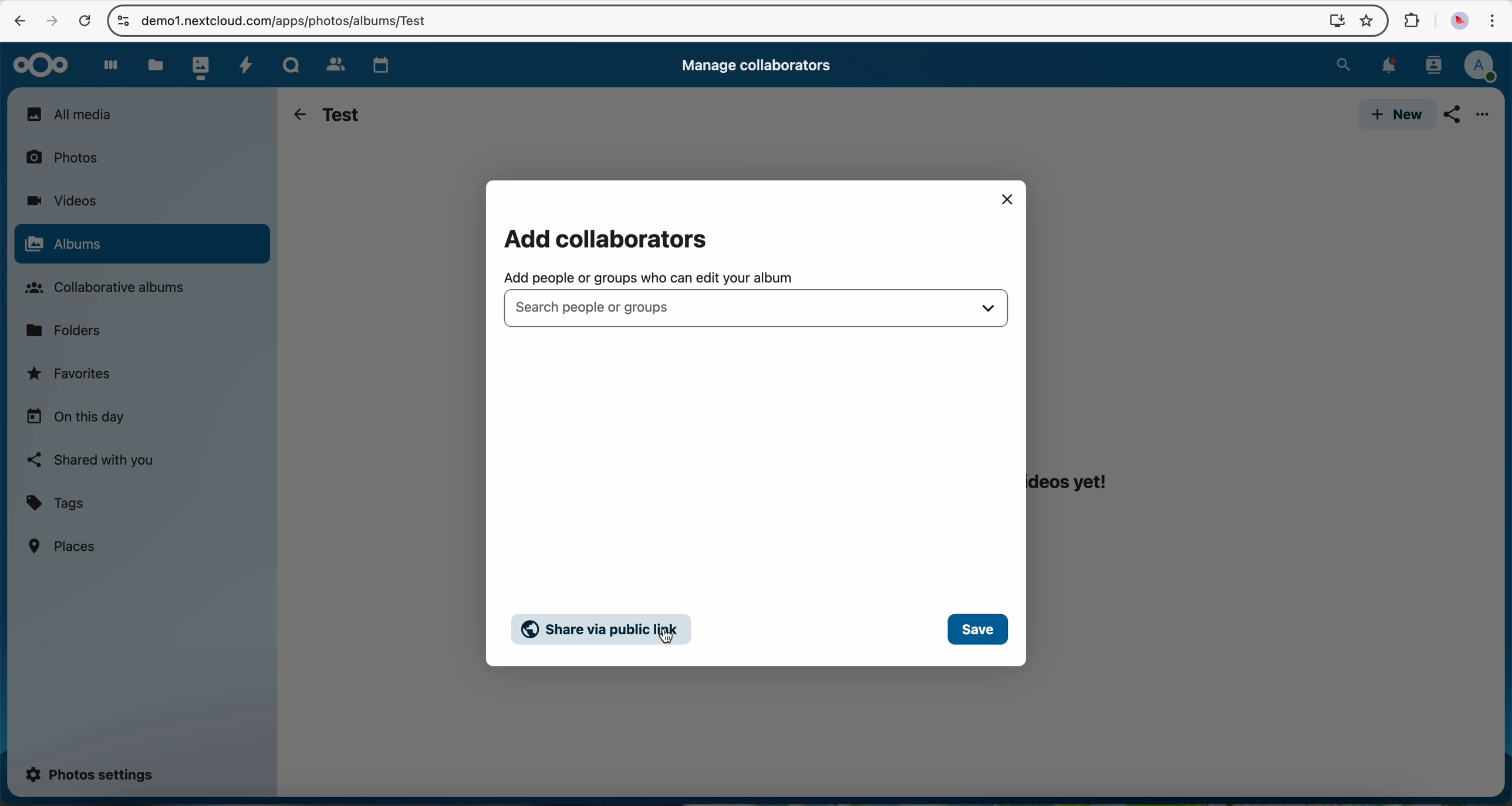 The image size is (1512, 806). Describe the element at coordinates (1491, 23) in the screenshot. I see `customize and control Google Chrome` at that location.